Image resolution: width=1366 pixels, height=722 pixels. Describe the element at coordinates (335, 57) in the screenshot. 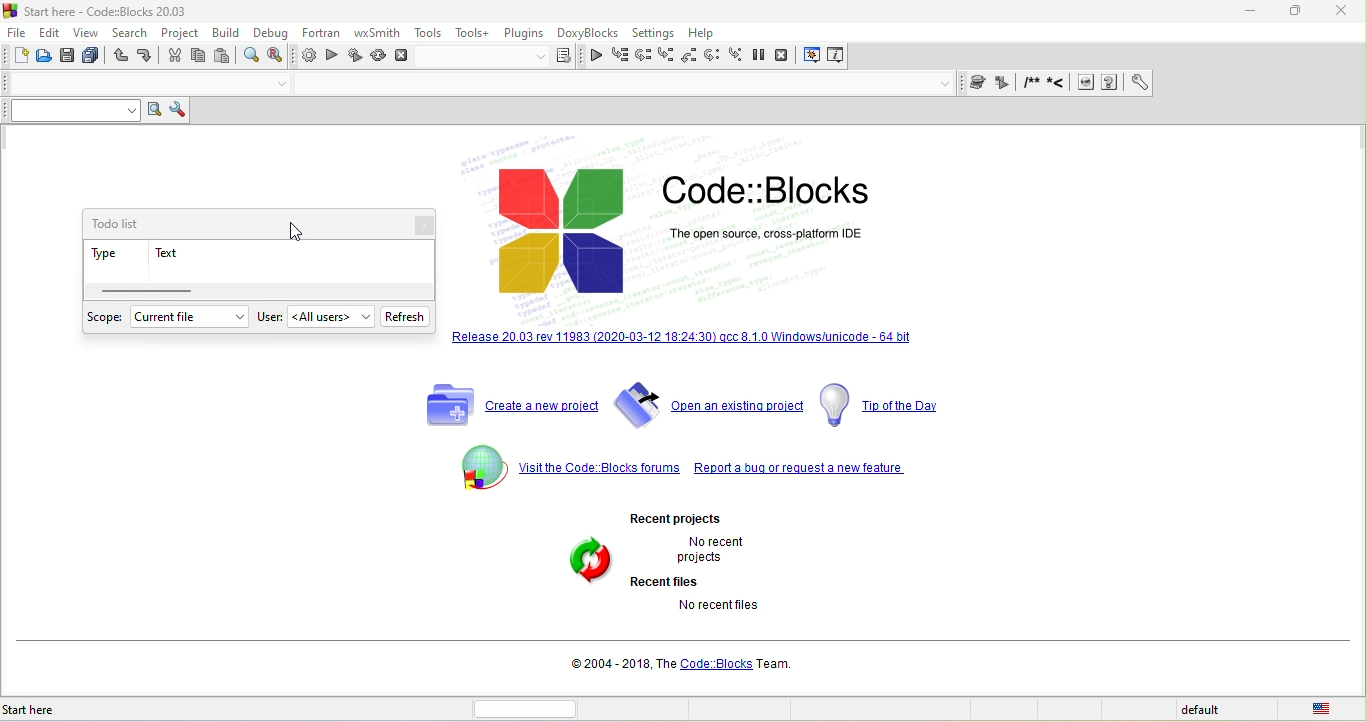

I see `run ` at that location.